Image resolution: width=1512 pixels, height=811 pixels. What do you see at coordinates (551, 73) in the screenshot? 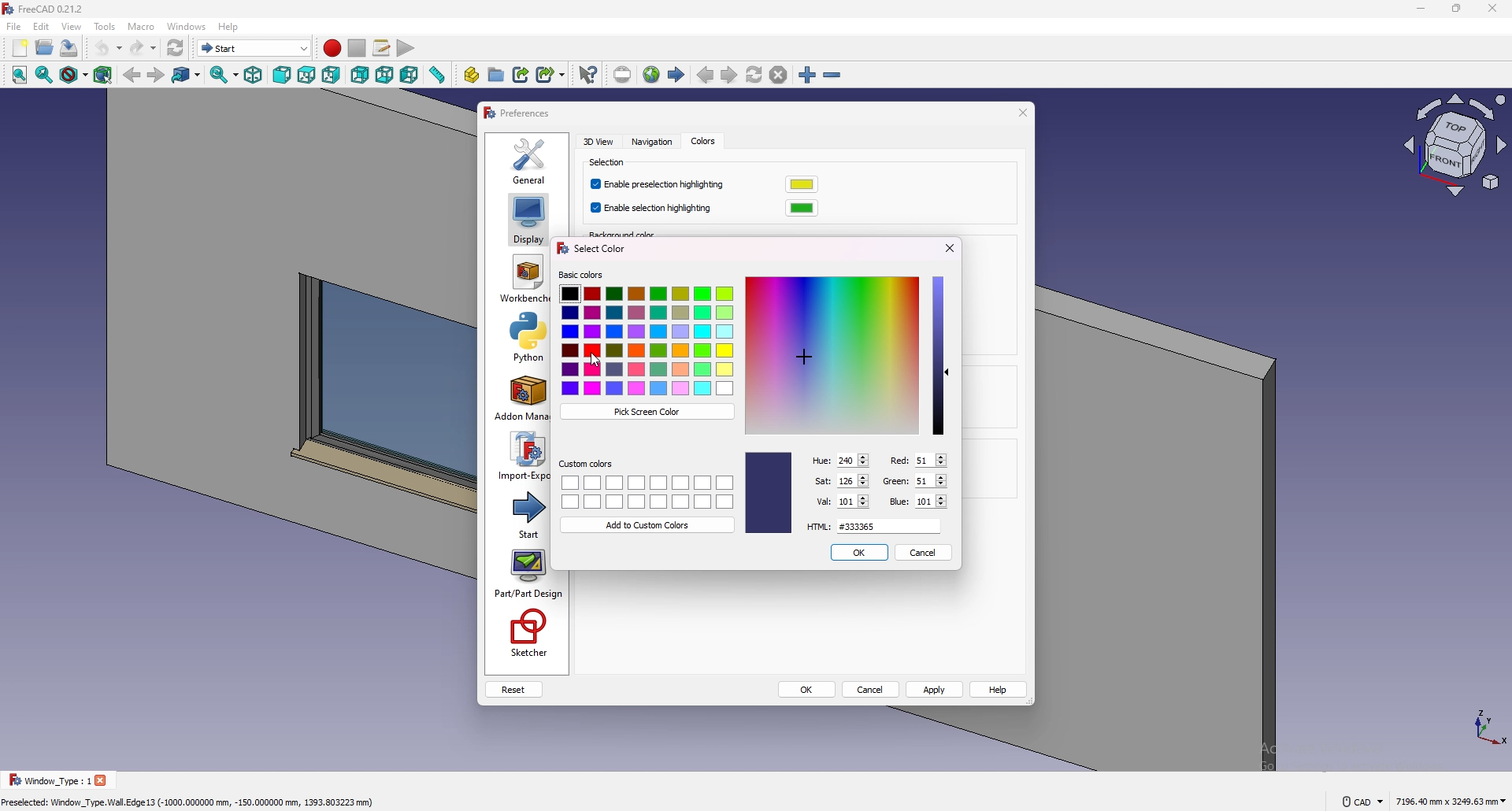
I see `make sub link` at bounding box center [551, 73].